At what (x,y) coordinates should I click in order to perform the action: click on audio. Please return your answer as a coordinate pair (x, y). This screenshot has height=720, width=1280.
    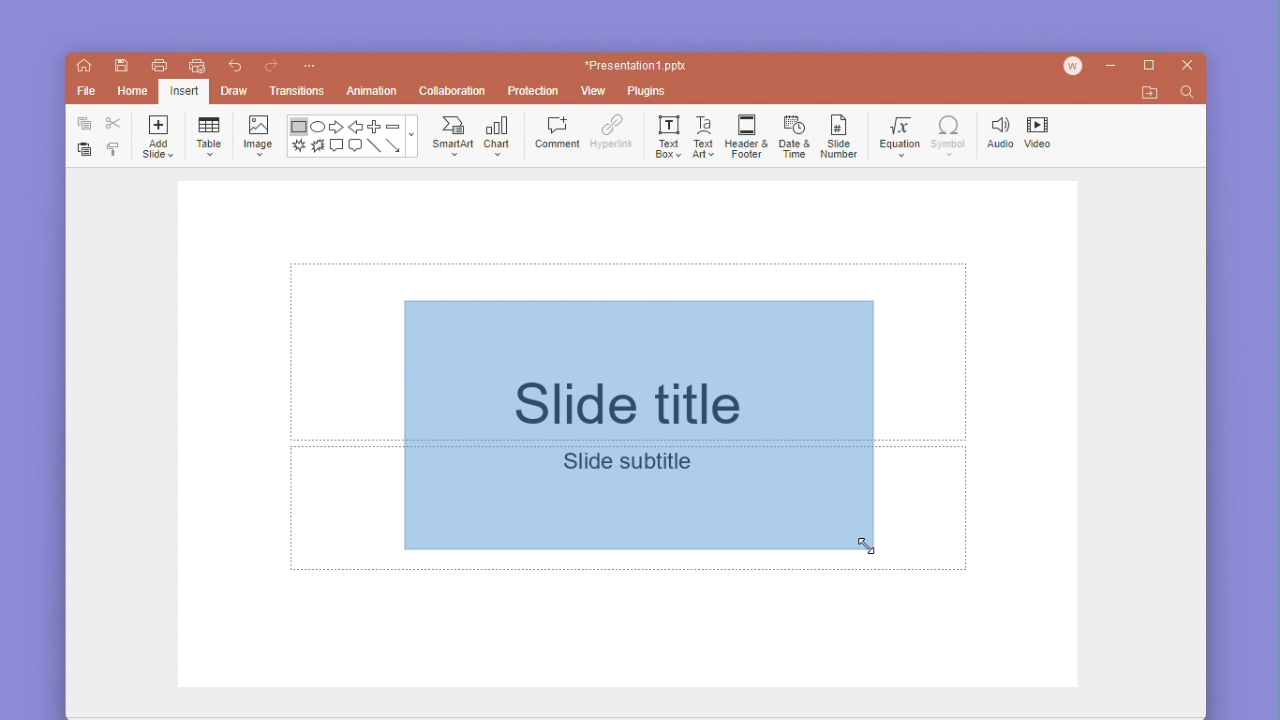
    Looking at the image, I should click on (997, 129).